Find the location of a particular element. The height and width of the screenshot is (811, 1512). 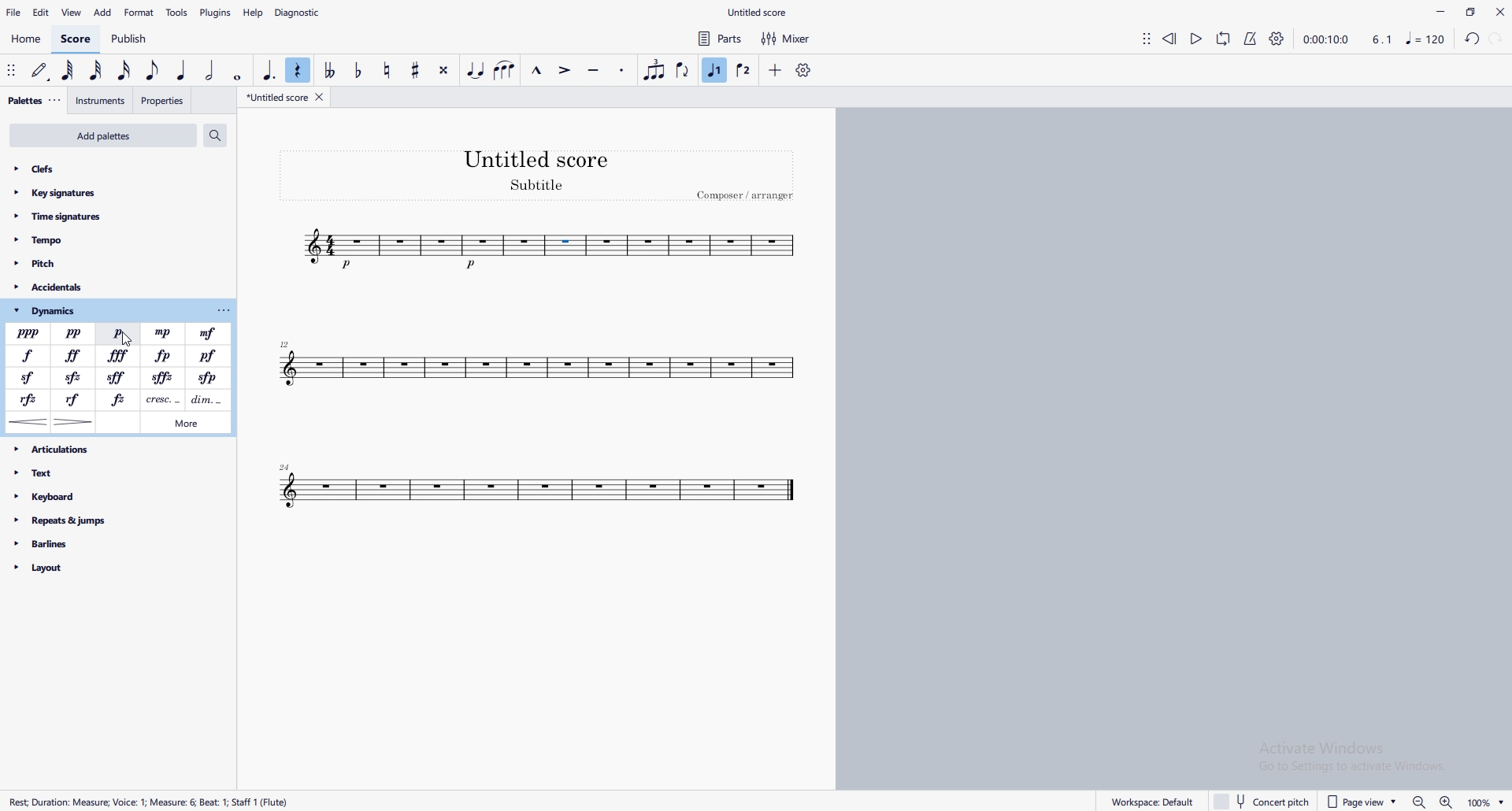

add palettes is located at coordinates (103, 135).